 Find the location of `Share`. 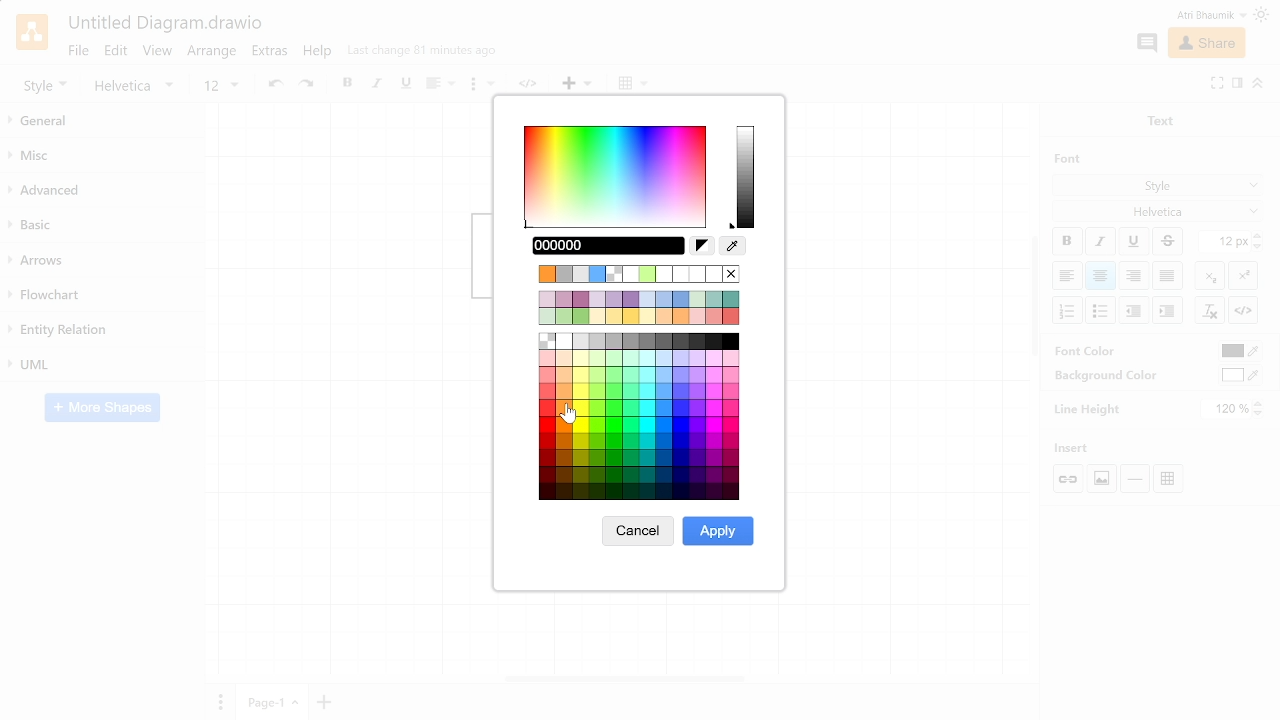

Share is located at coordinates (1205, 44).